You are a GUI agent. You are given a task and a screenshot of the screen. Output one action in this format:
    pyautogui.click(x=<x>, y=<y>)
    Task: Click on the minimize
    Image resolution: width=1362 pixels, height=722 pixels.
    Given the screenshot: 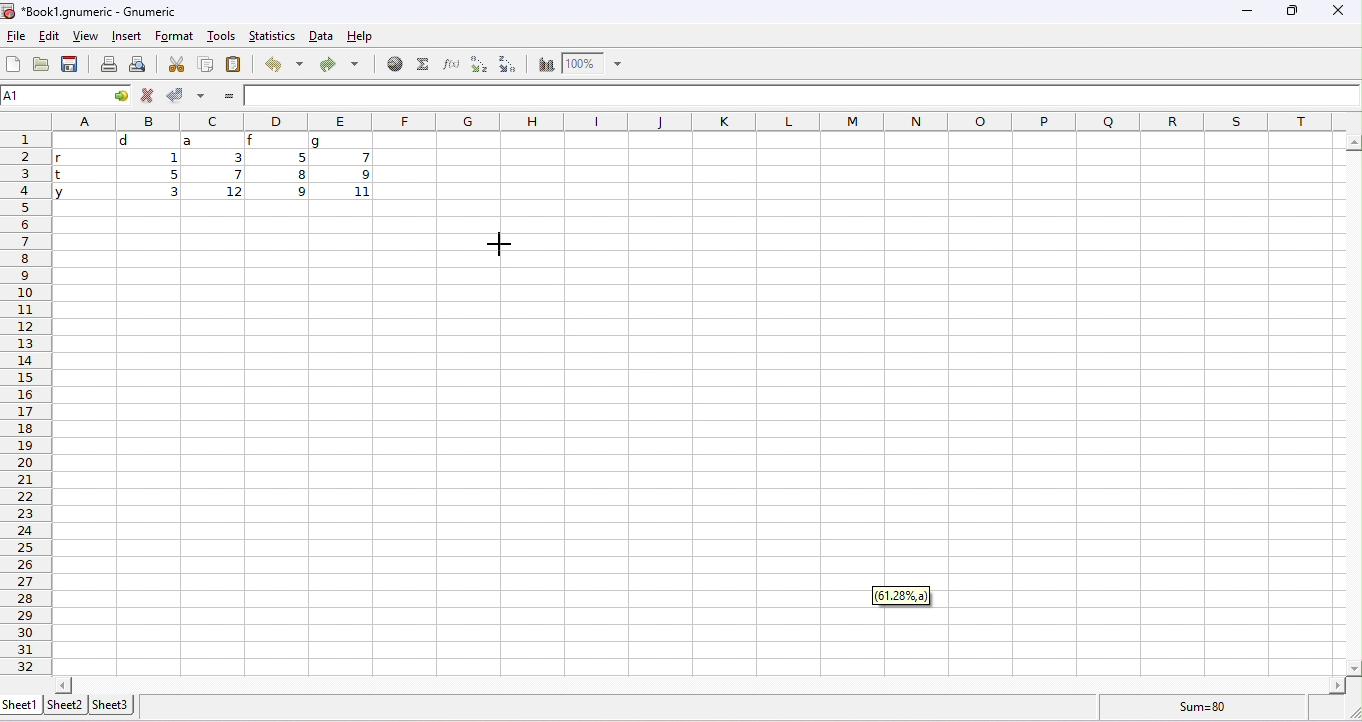 What is the action you would take?
    pyautogui.click(x=1247, y=14)
    